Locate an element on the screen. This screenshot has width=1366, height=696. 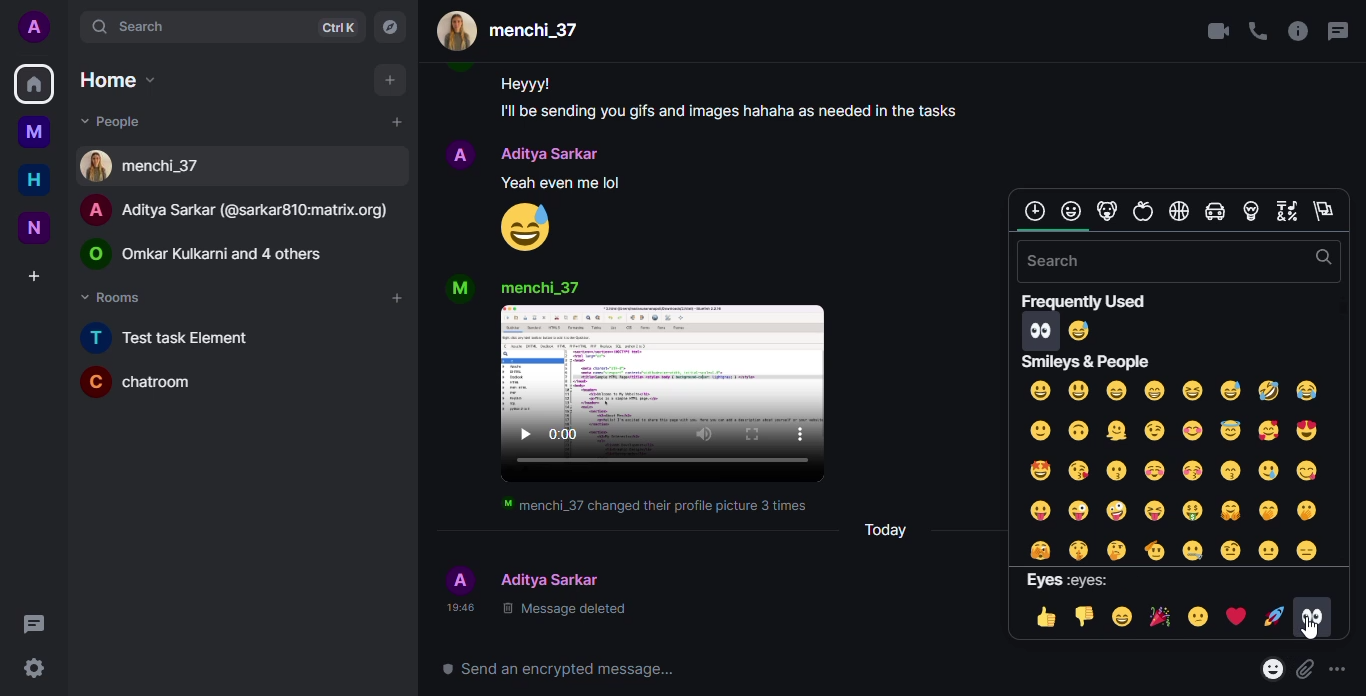
people is located at coordinates (541, 286).